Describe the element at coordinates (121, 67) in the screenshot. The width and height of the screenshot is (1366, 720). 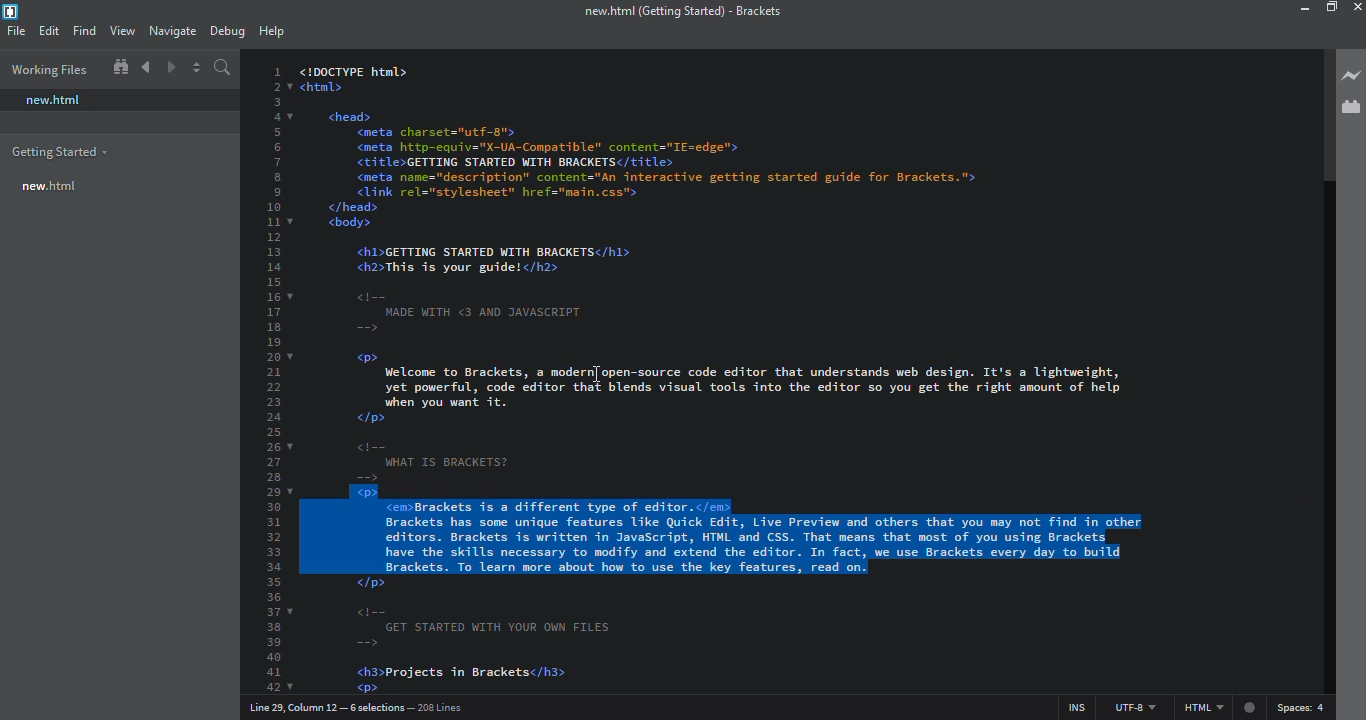
I see `show in file tree` at that location.